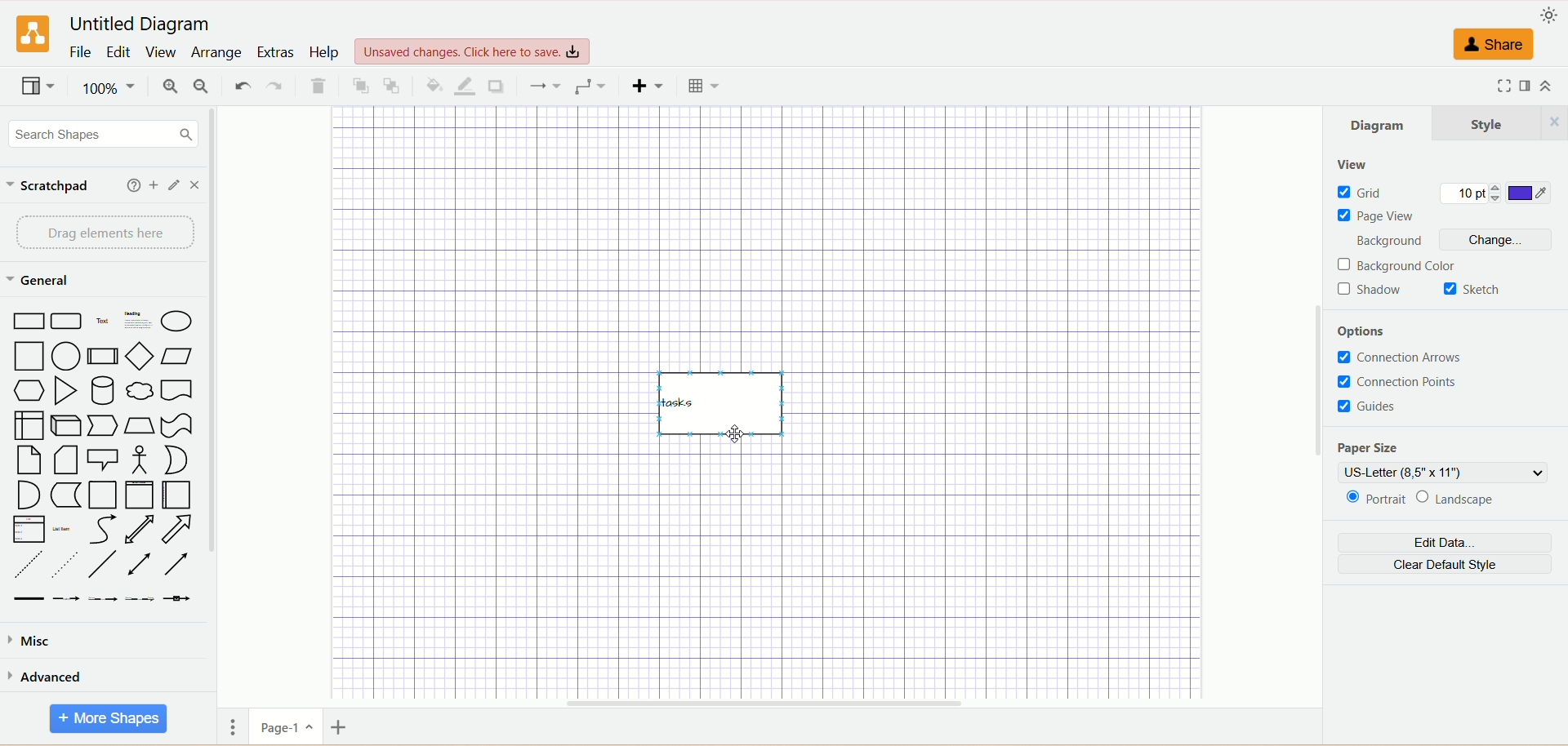 This screenshot has width=1568, height=746. I want to click on Table, so click(703, 86).